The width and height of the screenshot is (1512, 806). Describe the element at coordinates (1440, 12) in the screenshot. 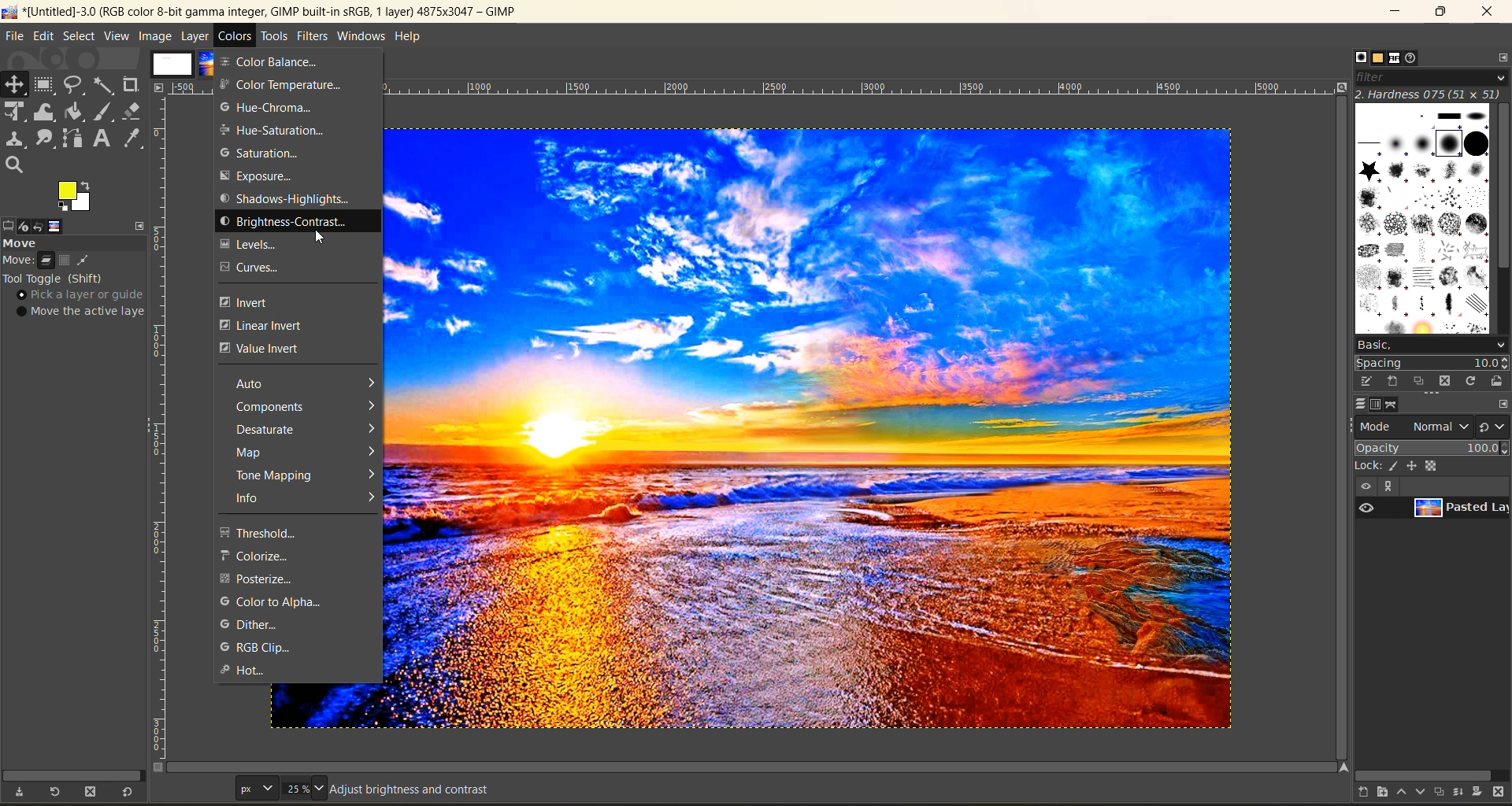

I see `maximize` at that location.